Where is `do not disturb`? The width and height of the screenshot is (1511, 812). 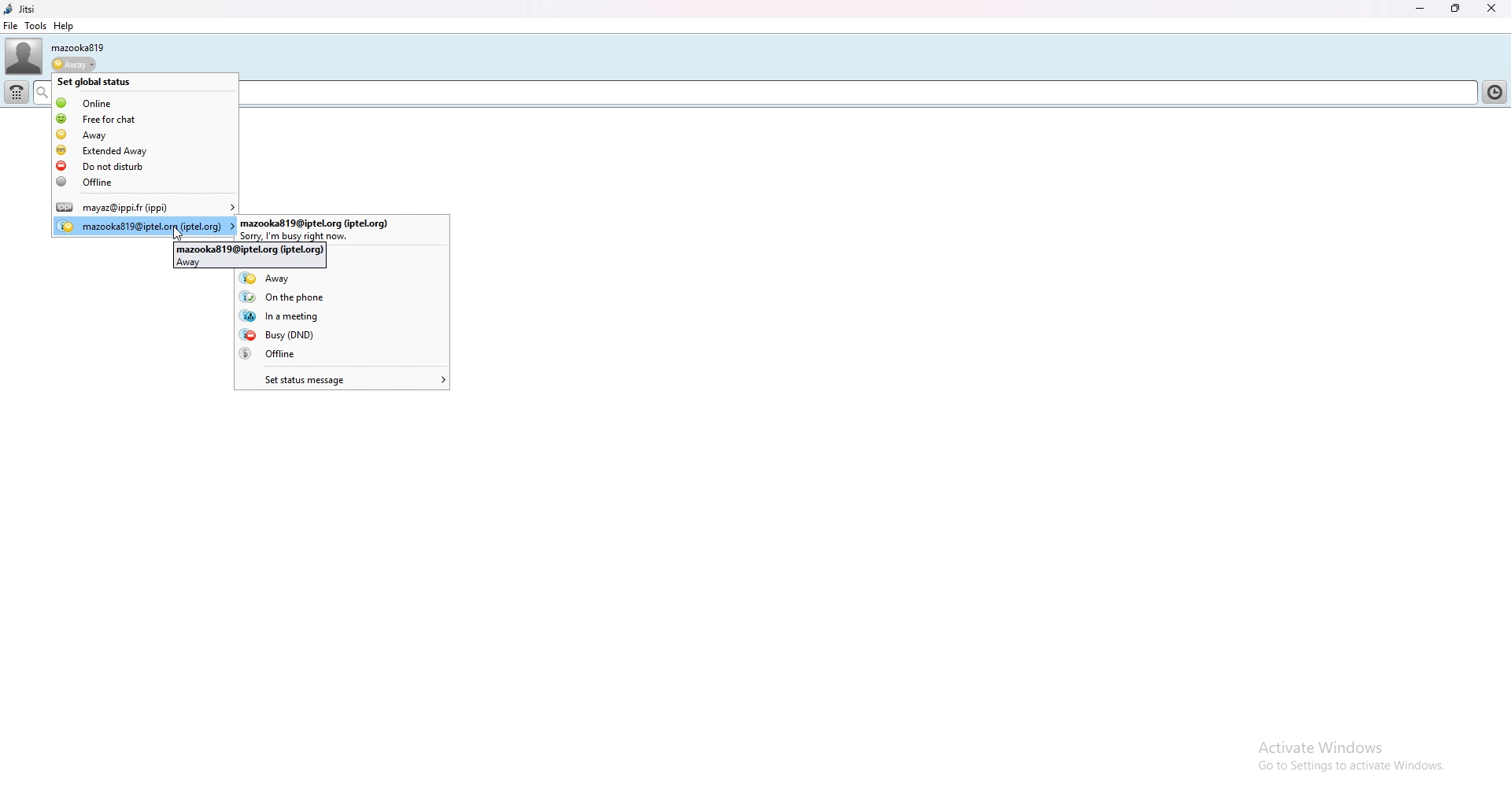 do not disturb is located at coordinates (146, 165).